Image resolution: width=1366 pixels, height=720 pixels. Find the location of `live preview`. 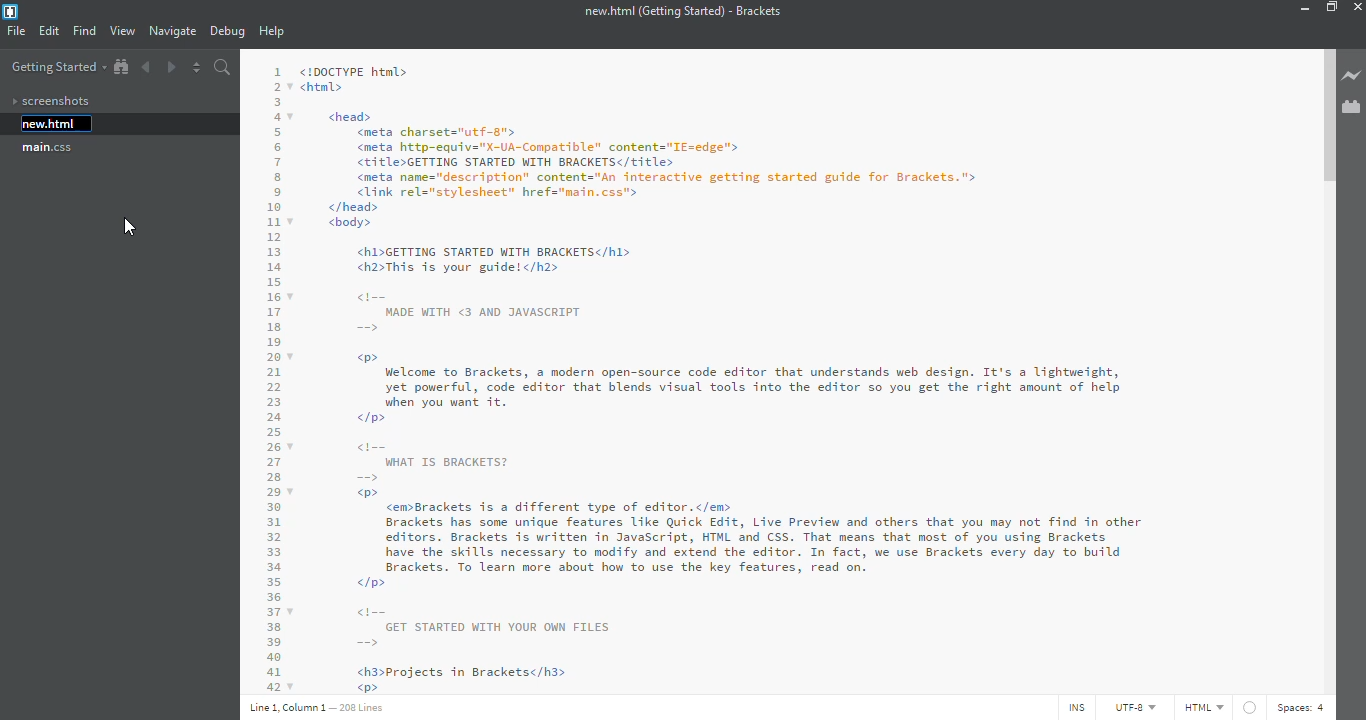

live preview is located at coordinates (1352, 77).